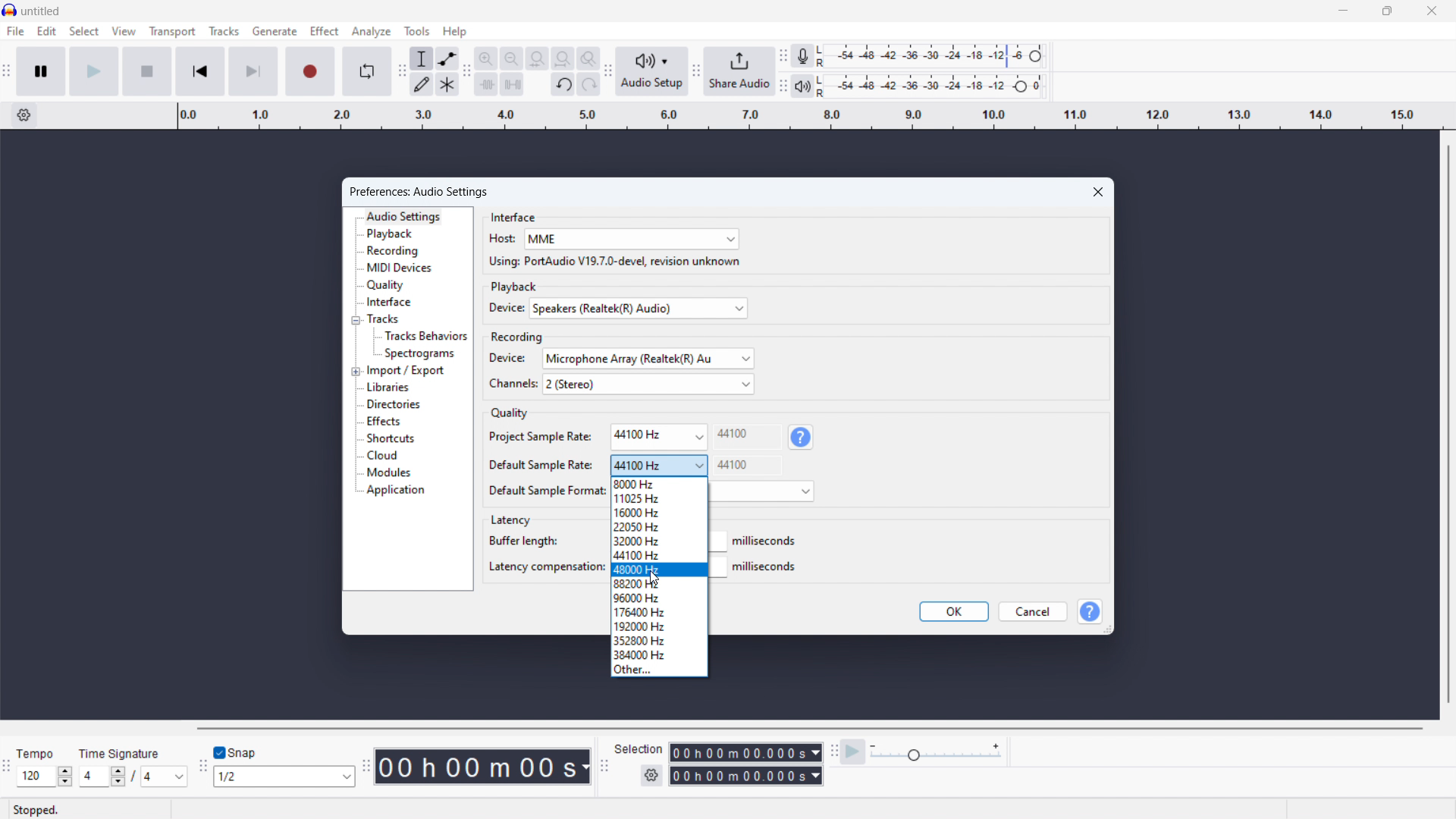 This screenshot has width=1456, height=819. I want to click on playback, so click(516, 286).